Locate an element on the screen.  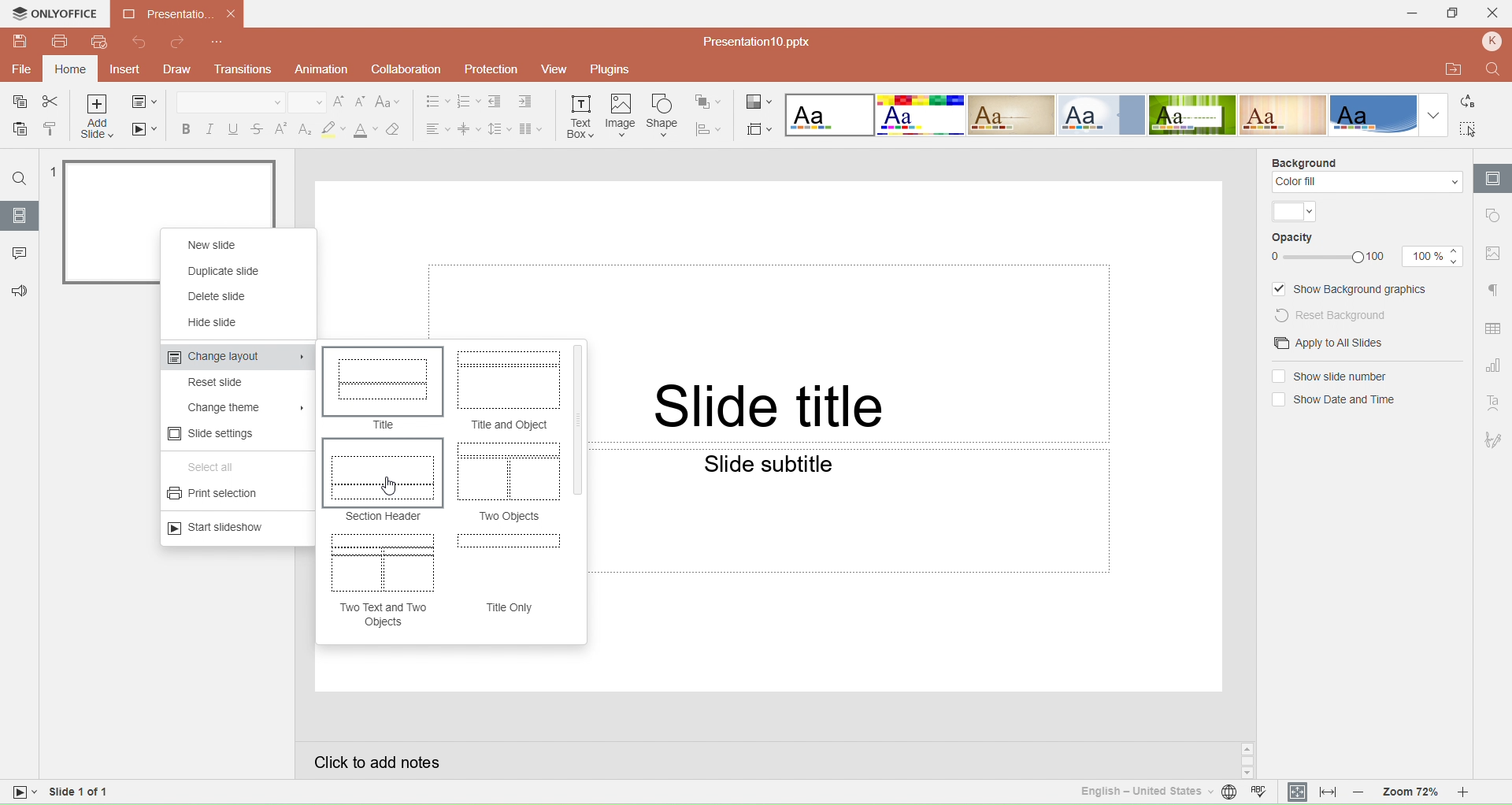
Underline is located at coordinates (233, 128).